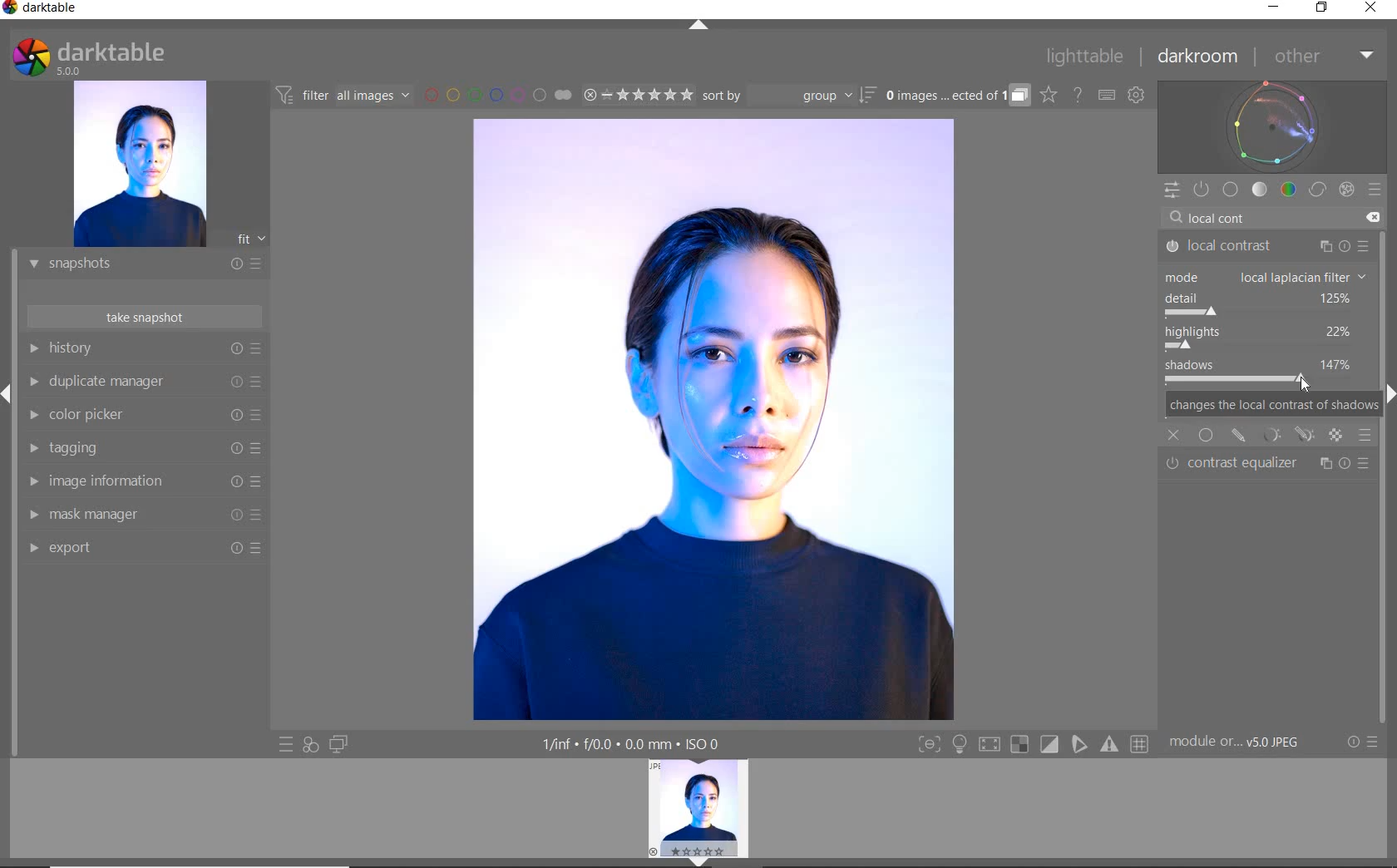 The image size is (1397, 868). What do you see at coordinates (957, 96) in the screenshot?
I see `EXPAND GROUPED IMAGES` at bounding box center [957, 96].